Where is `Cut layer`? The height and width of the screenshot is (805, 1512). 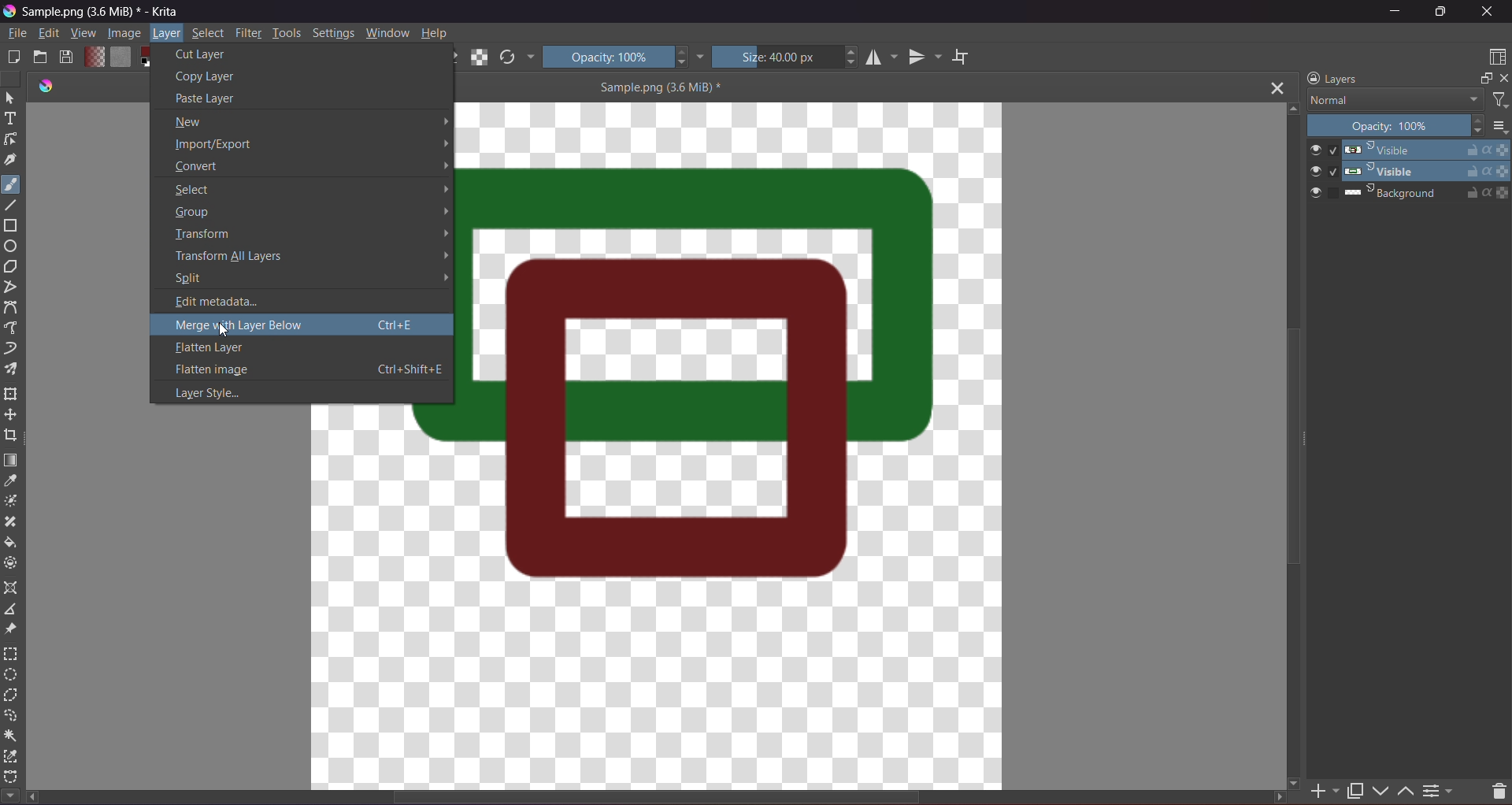 Cut layer is located at coordinates (303, 54).